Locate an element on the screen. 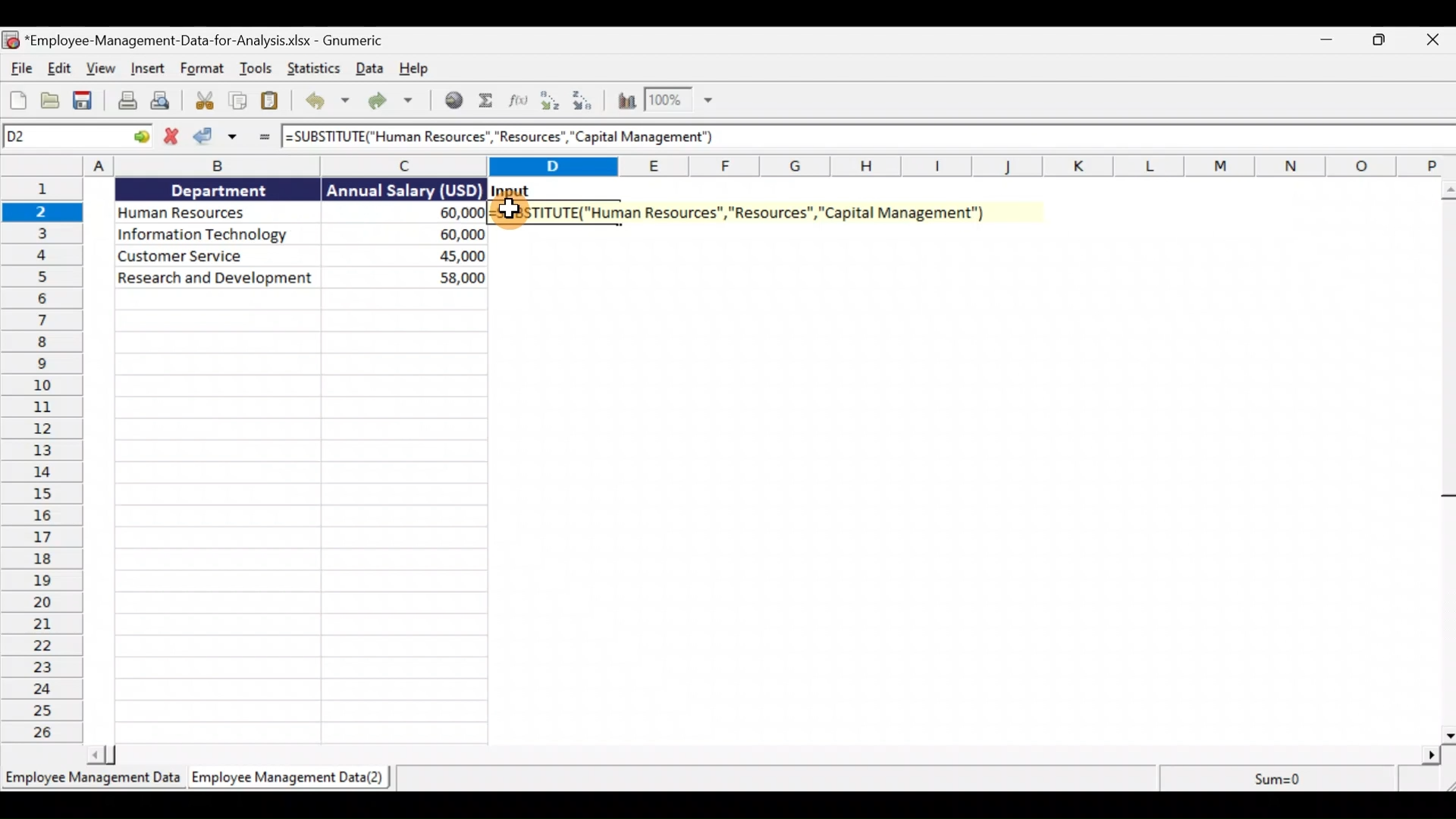 This screenshot has width=1456, height=819. Sheet 2 is located at coordinates (288, 779).